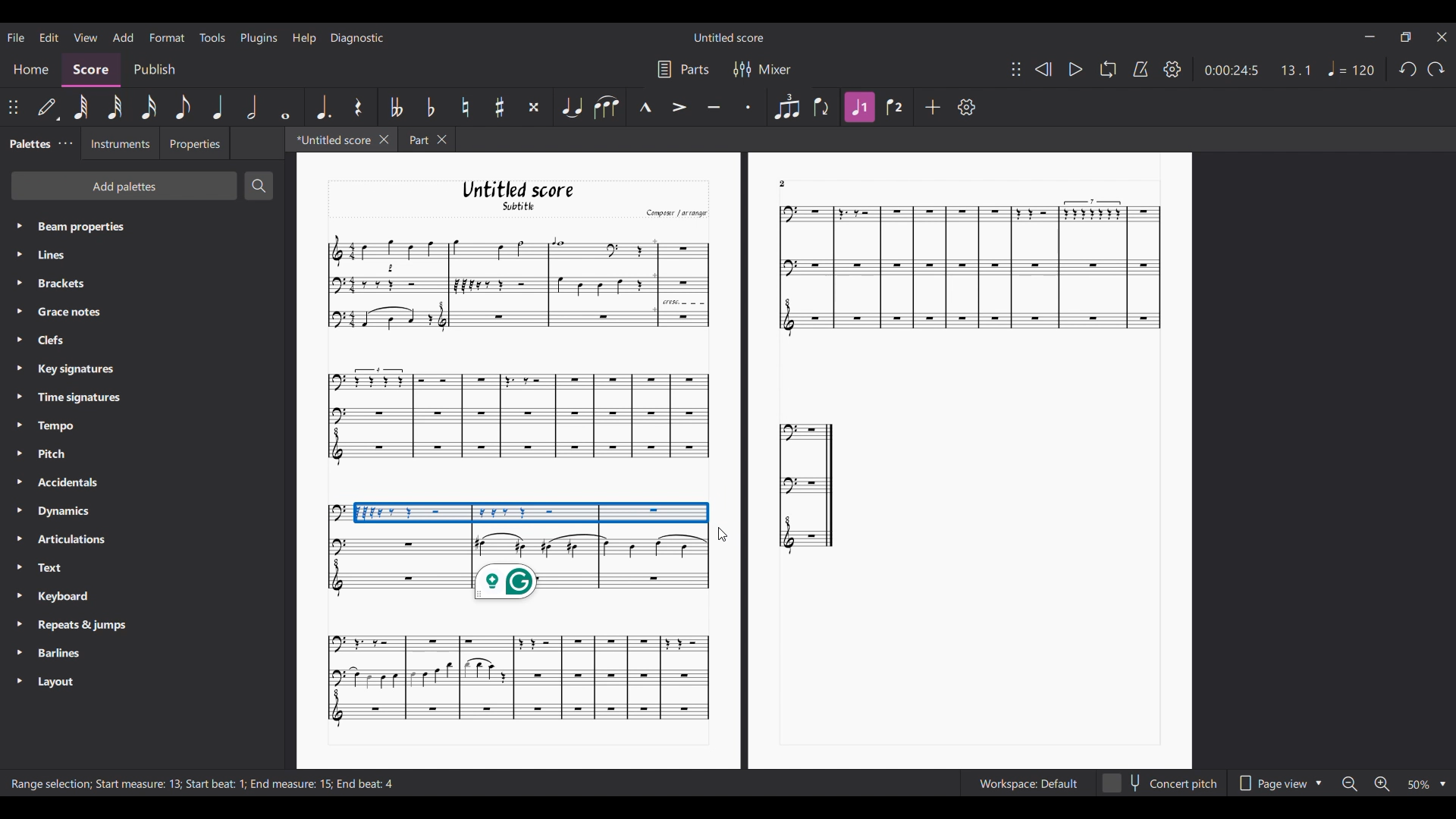 Image resolution: width=1456 pixels, height=819 pixels. What do you see at coordinates (58, 598) in the screenshot?
I see `> Keyboard` at bounding box center [58, 598].